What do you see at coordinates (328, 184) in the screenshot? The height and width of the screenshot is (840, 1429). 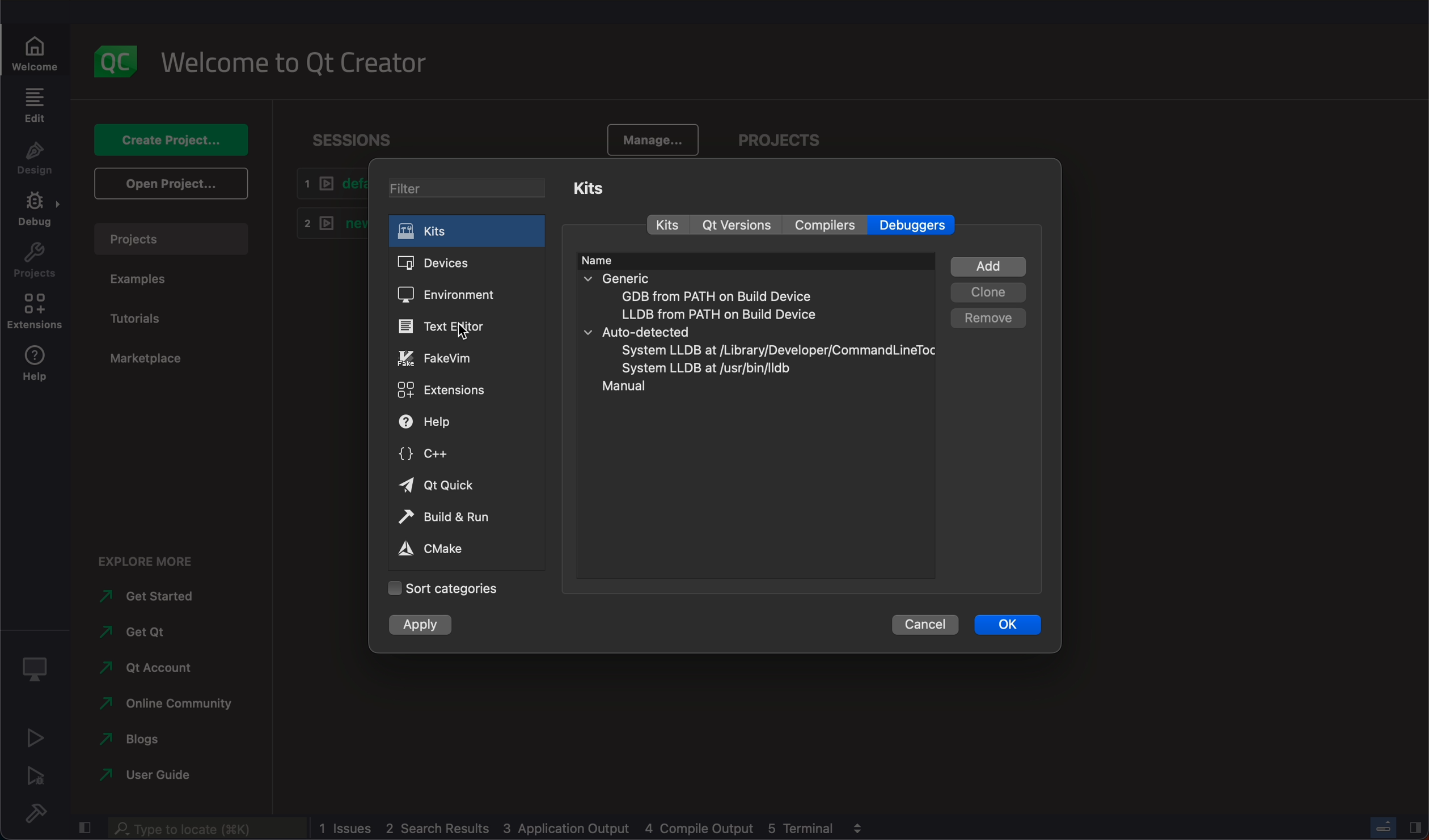 I see `default` at bounding box center [328, 184].